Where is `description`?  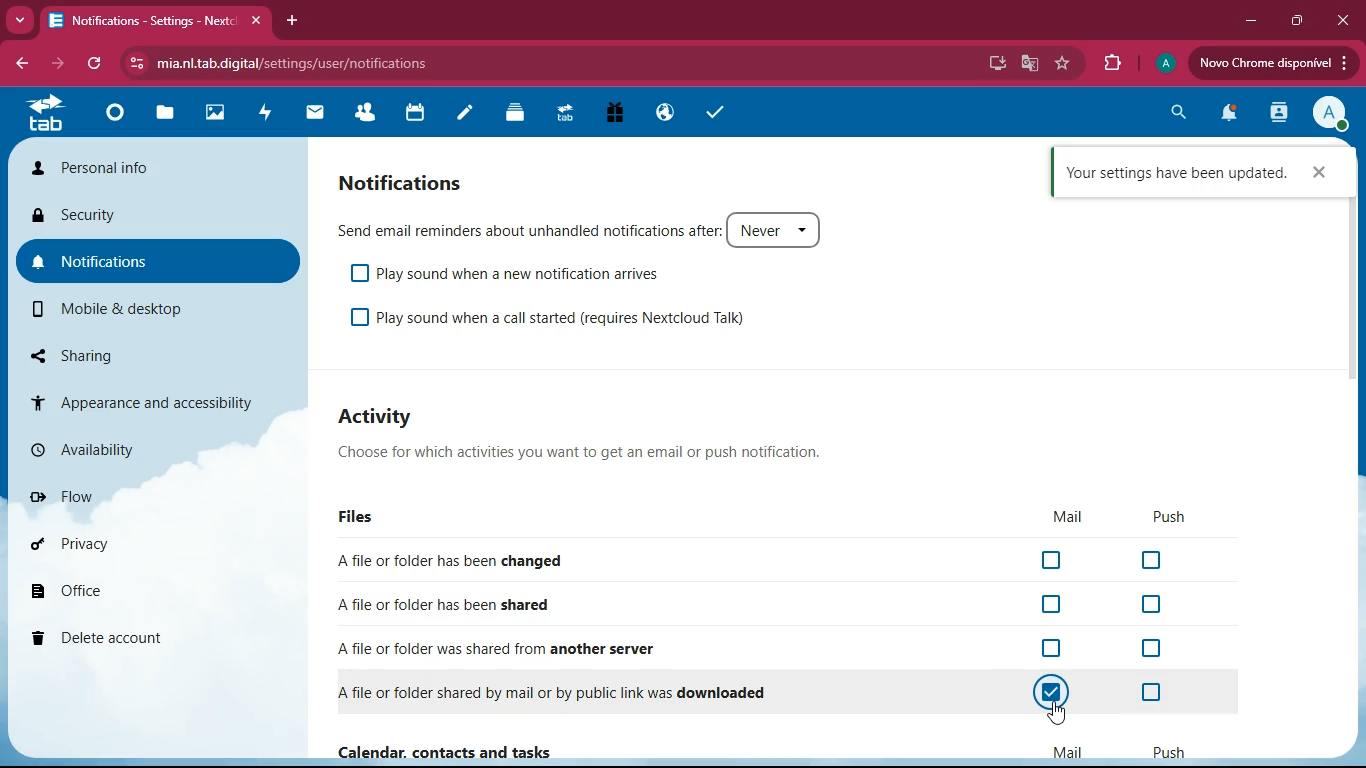 description is located at coordinates (600, 454).